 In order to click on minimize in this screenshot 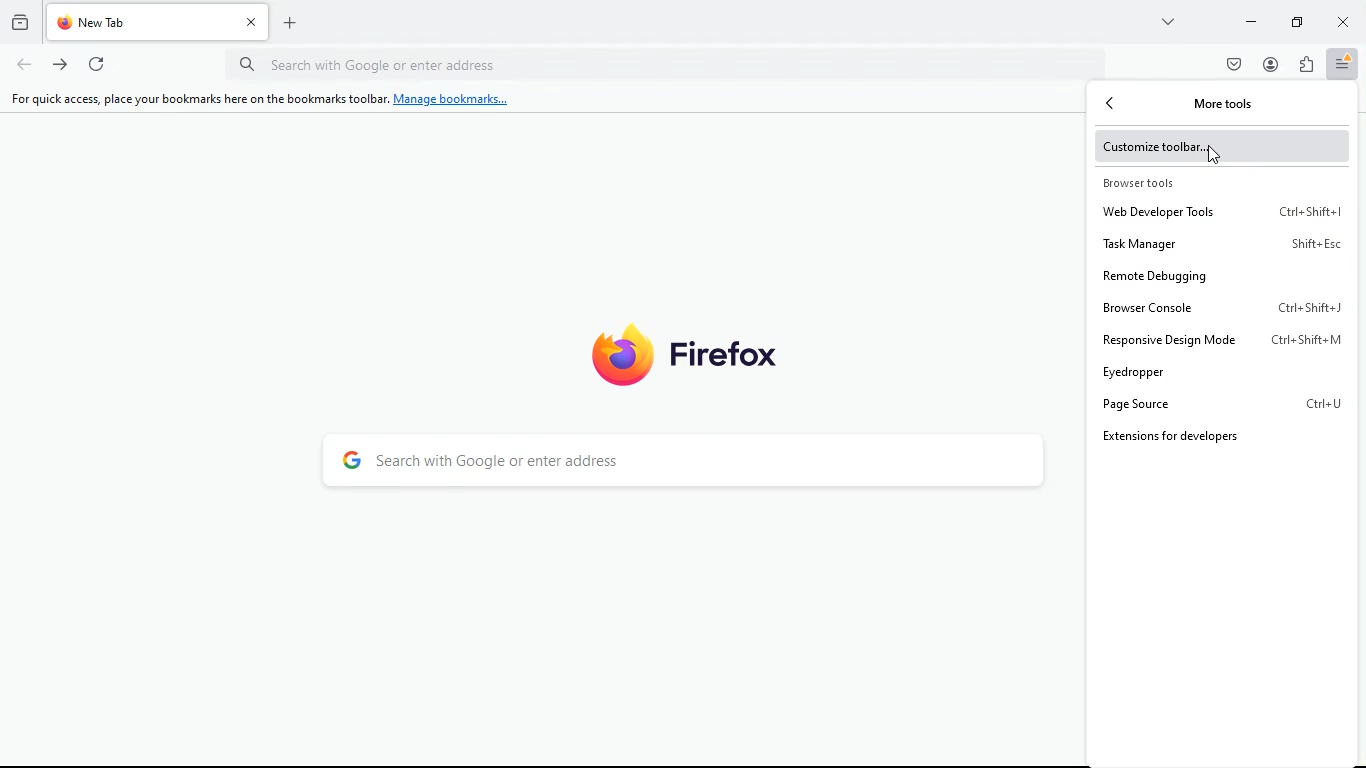, I will do `click(1251, 20)`.